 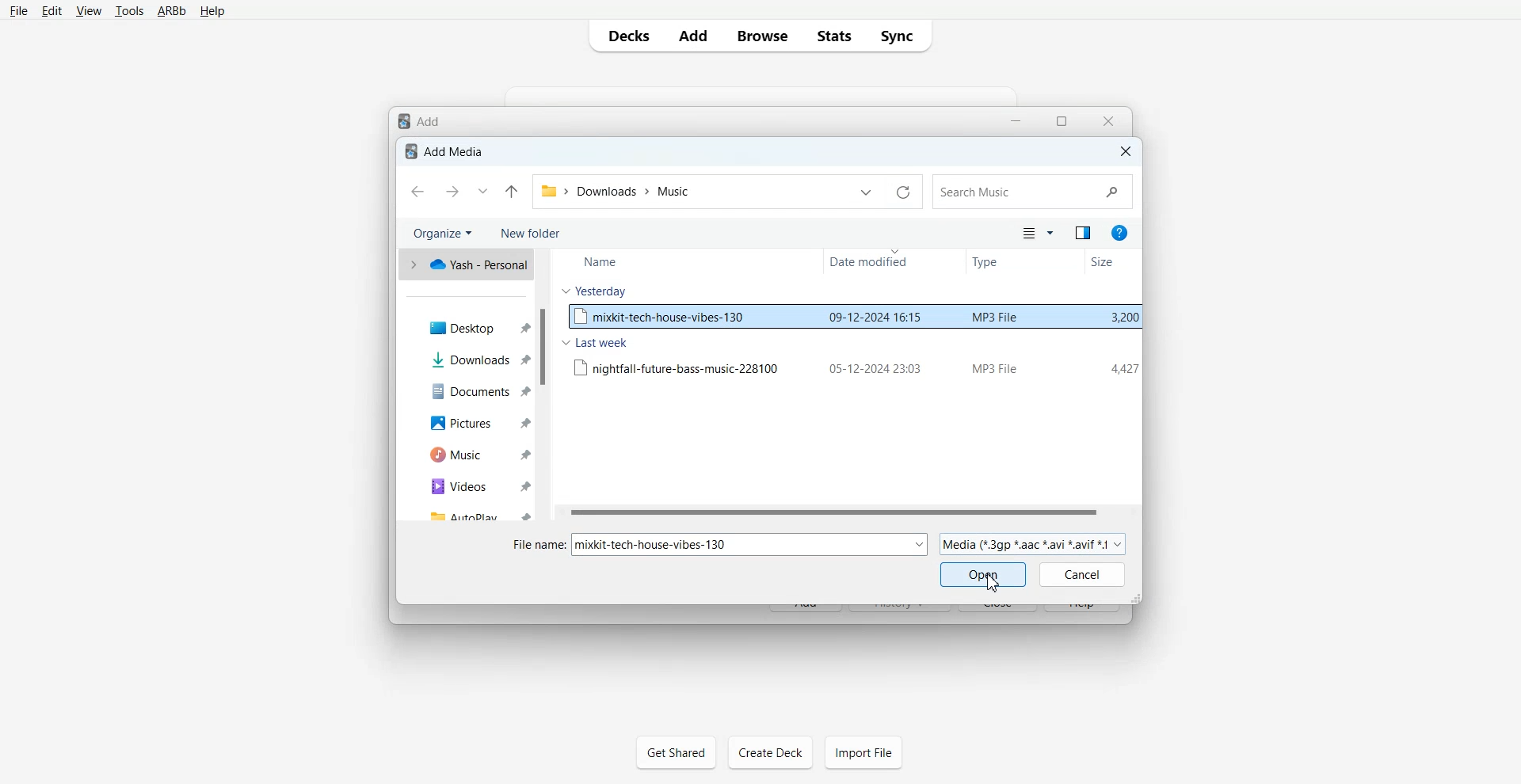 What do you see at coordinates (1107, 261) in the screenshot?
I see `Size` at bounding box center [1107, 261].